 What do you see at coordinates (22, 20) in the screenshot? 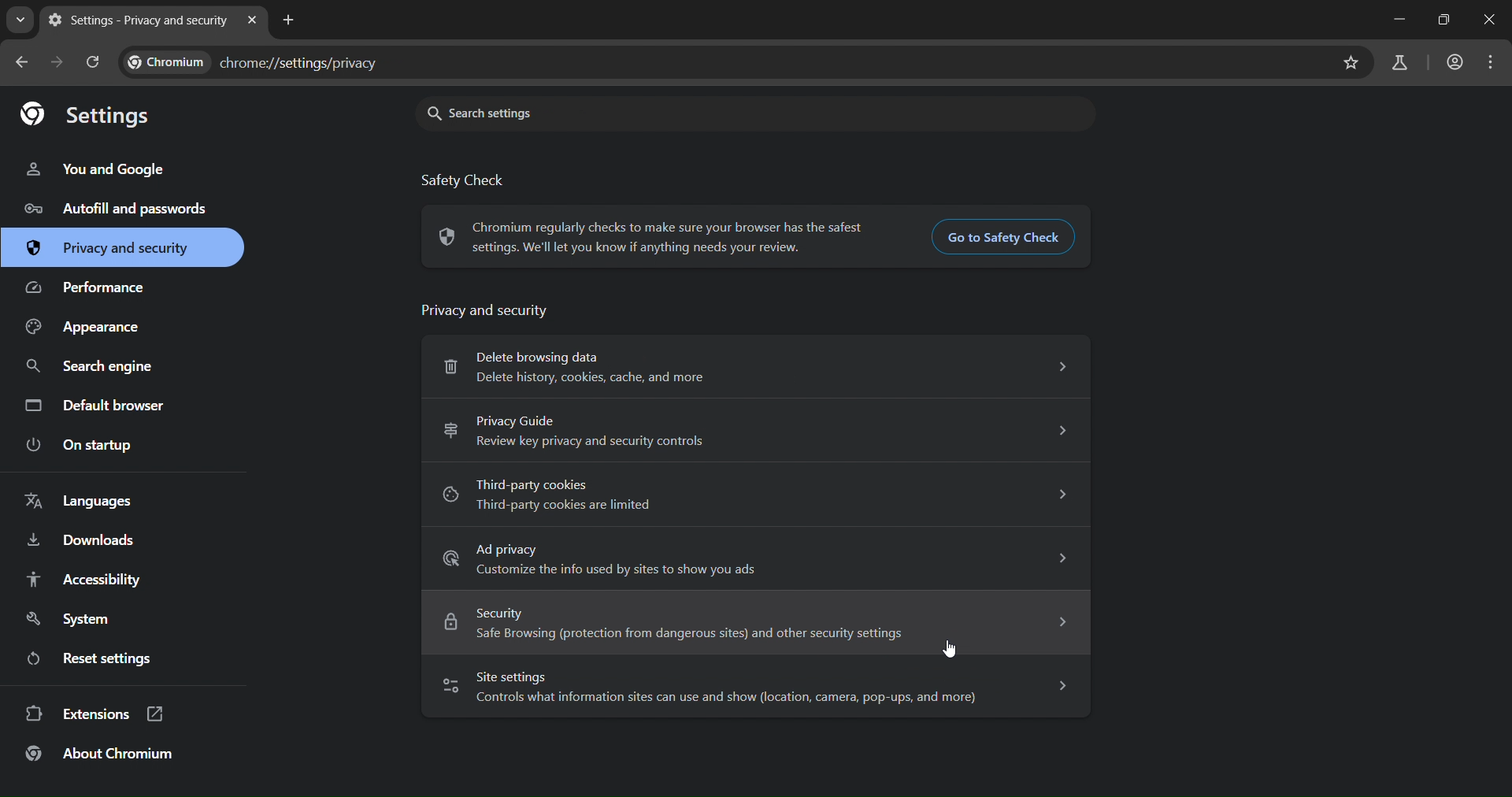
I see `search tabs` at bounding box center [22, 20].